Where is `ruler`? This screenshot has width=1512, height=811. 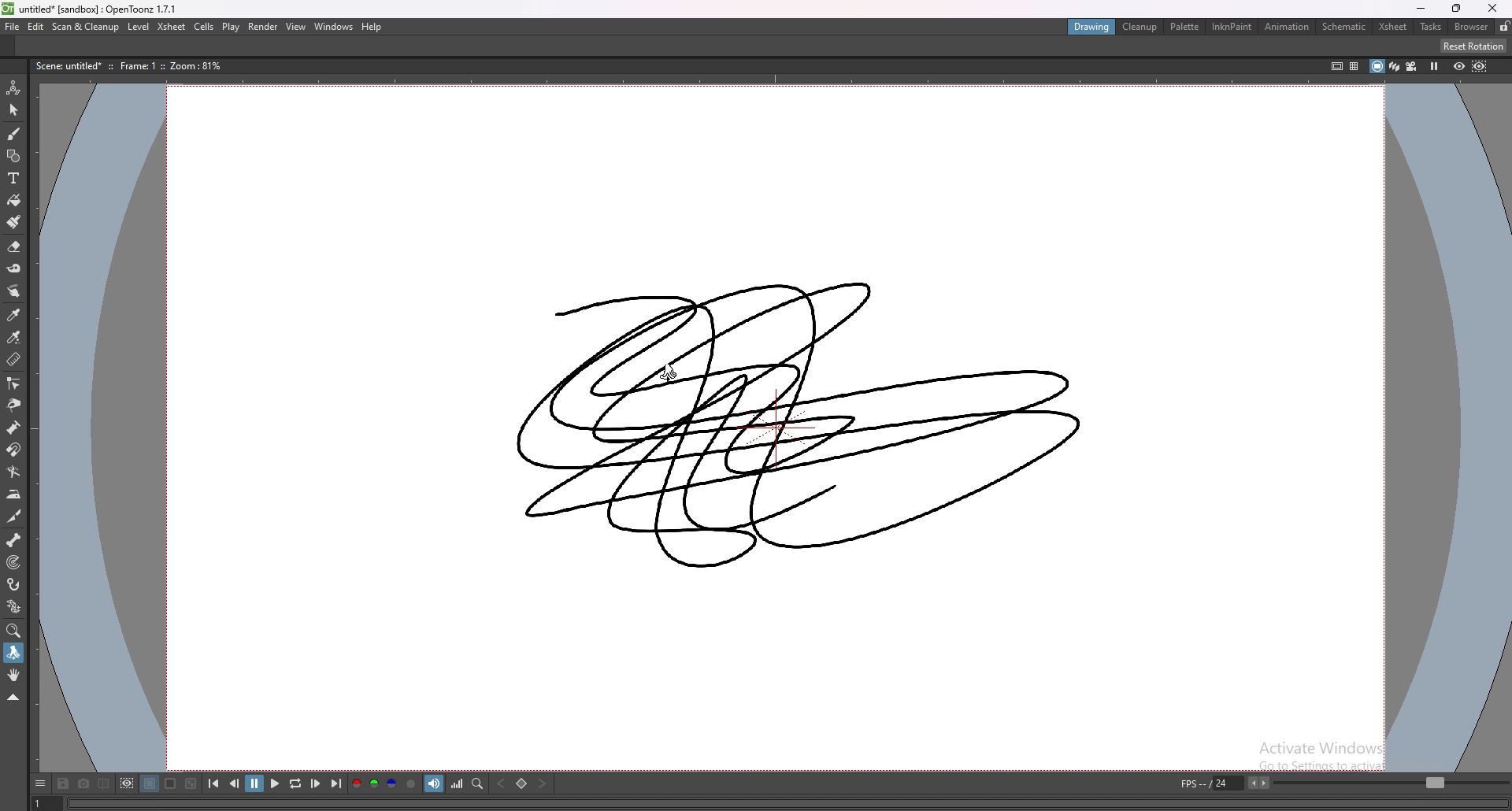
ruler is located at coordinates (13, 361).